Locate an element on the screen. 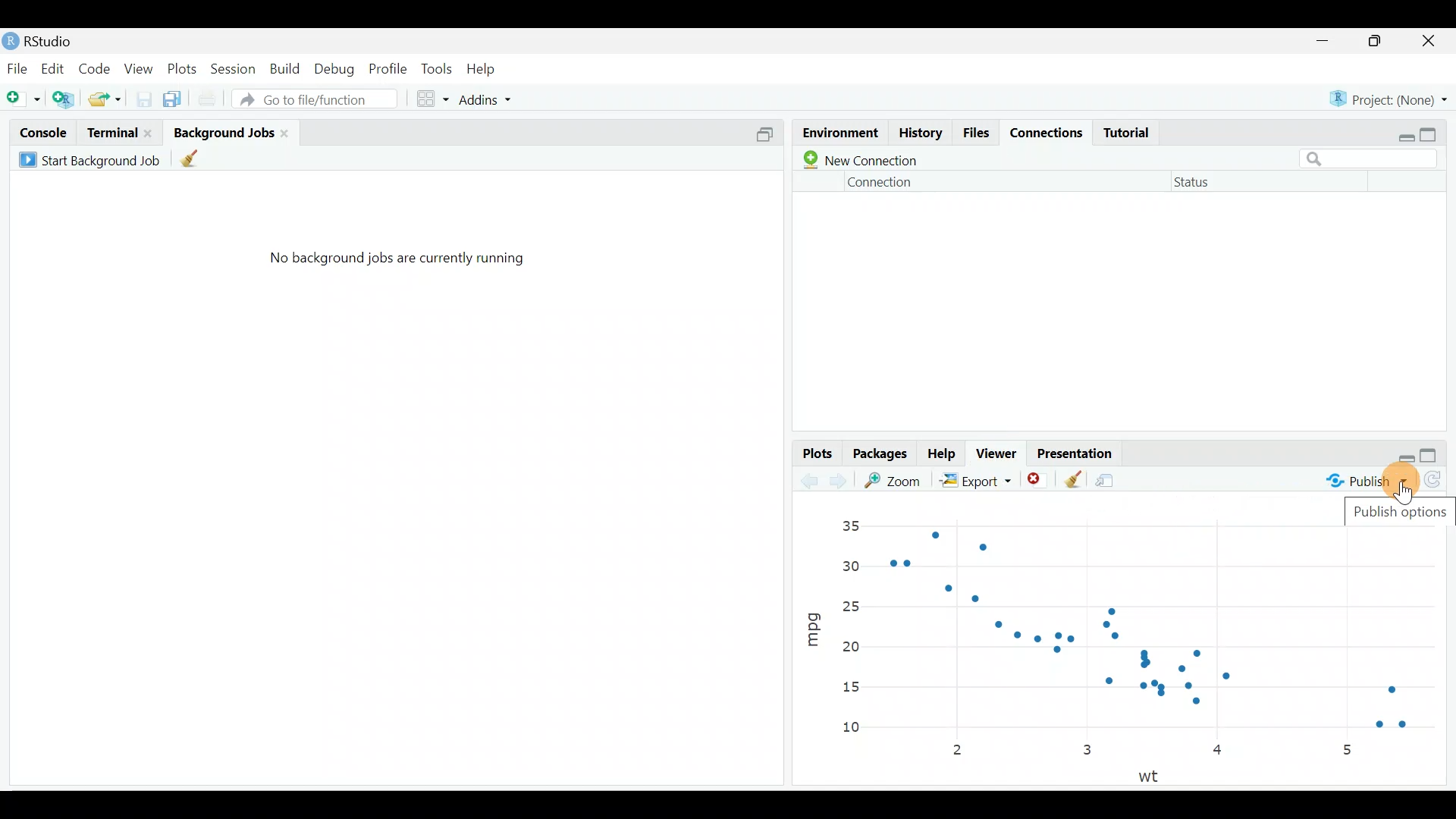 The image size is (1456, 819). 4 is located at coordinates (1220, 752).